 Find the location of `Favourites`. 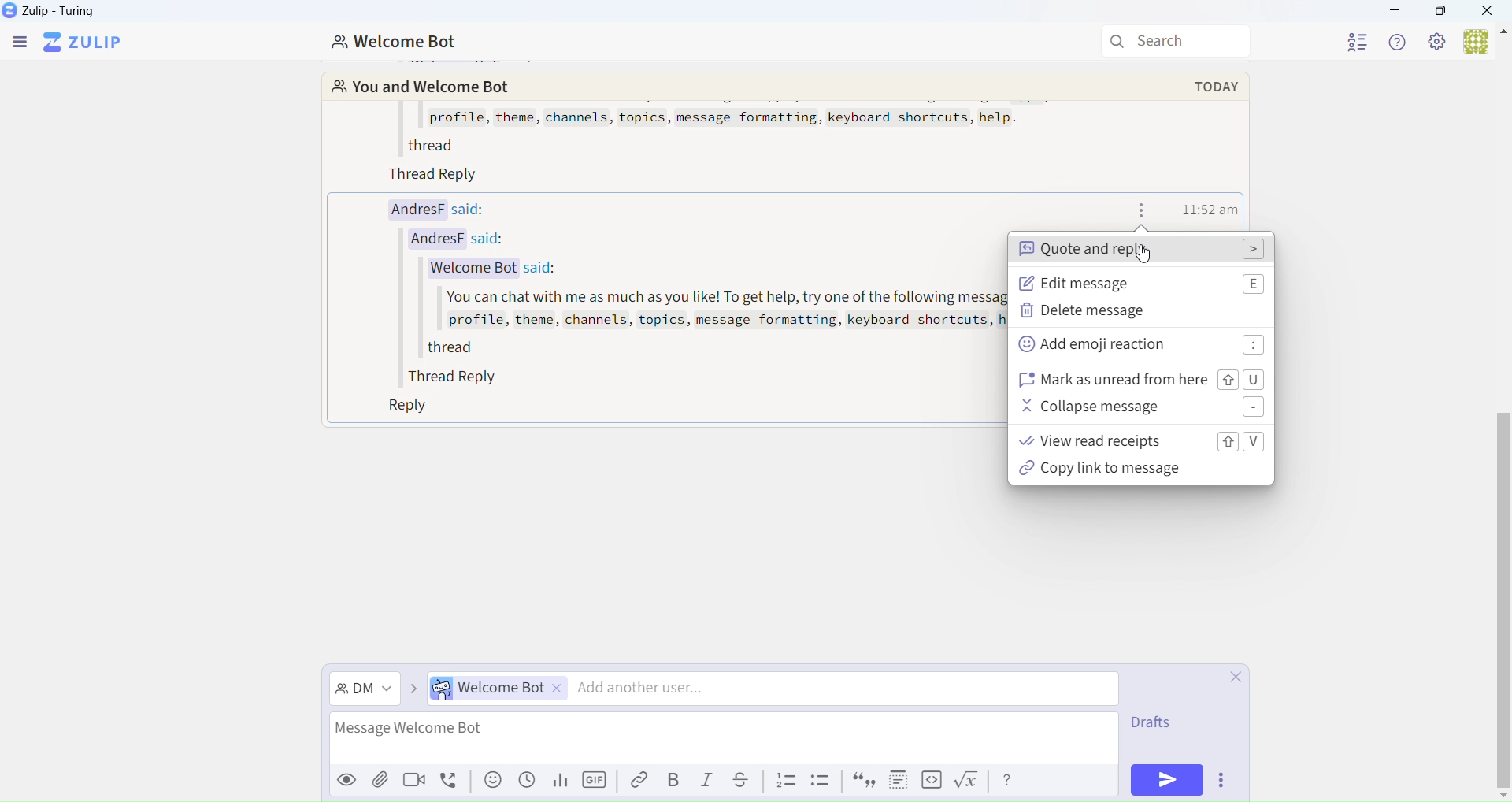

Favourites is located at coordinates (1167, 212).